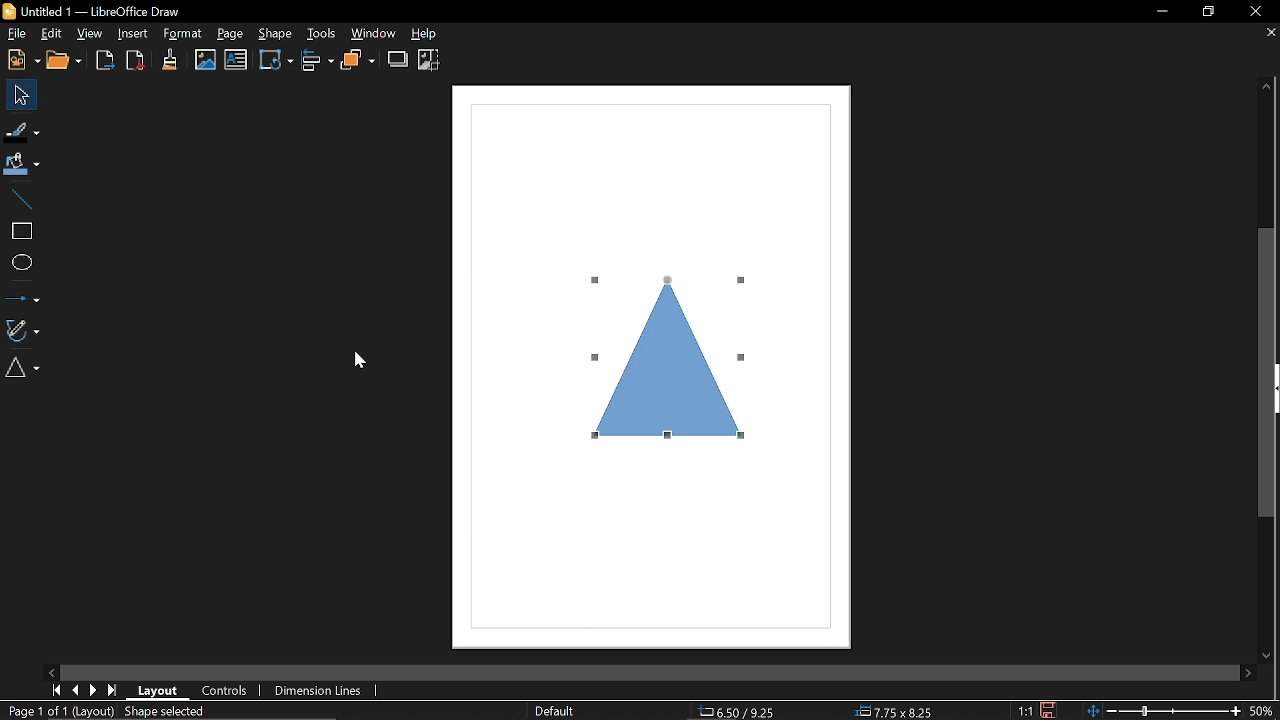 This screenshot has height=720, width=1280. I want to click on Close page, so click(1268, 33).